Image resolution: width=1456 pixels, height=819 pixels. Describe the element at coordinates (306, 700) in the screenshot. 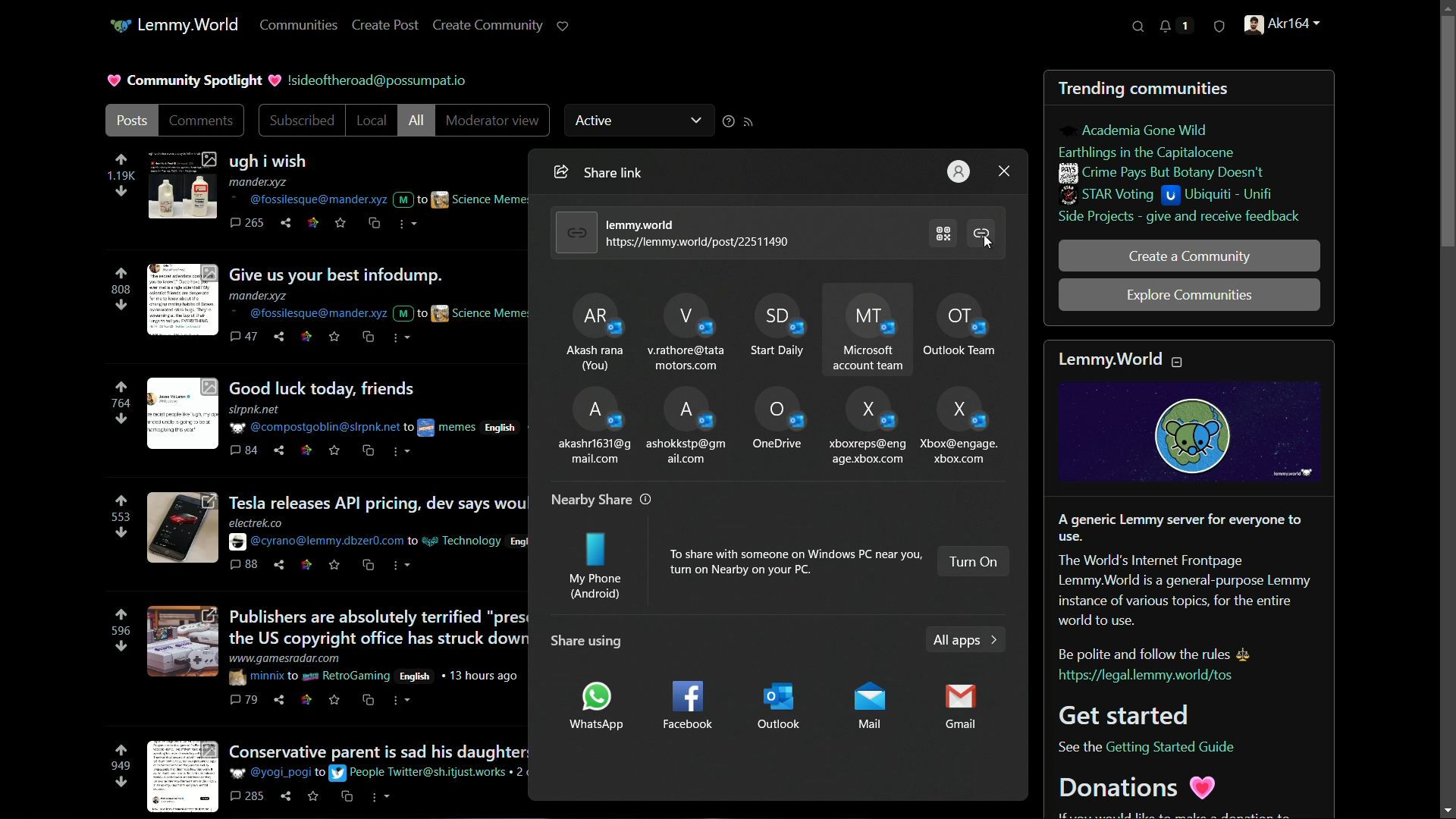

I see `link` at that location.